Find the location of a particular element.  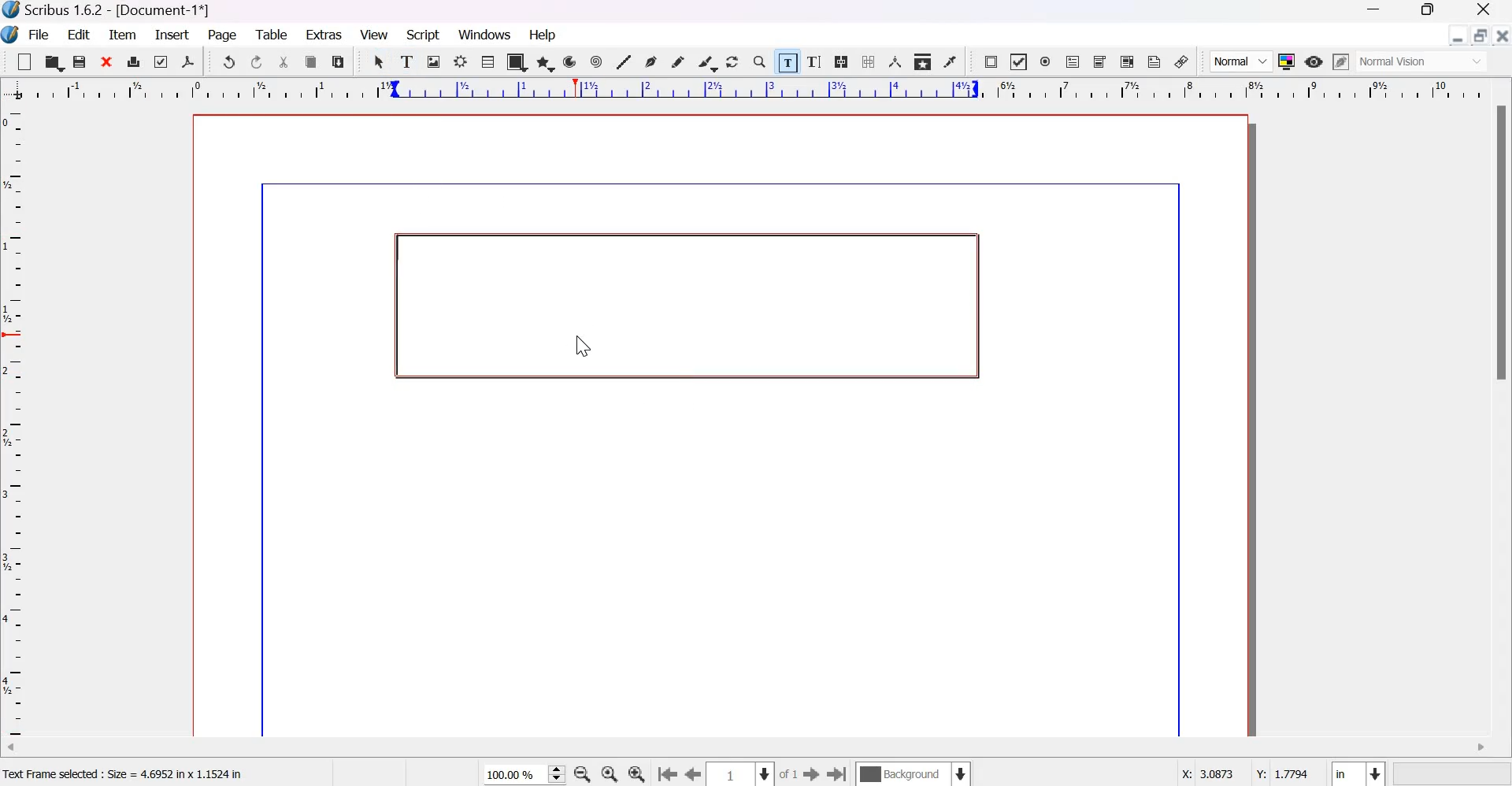

X: 3.0873 is located at coordinates (1202, 773).